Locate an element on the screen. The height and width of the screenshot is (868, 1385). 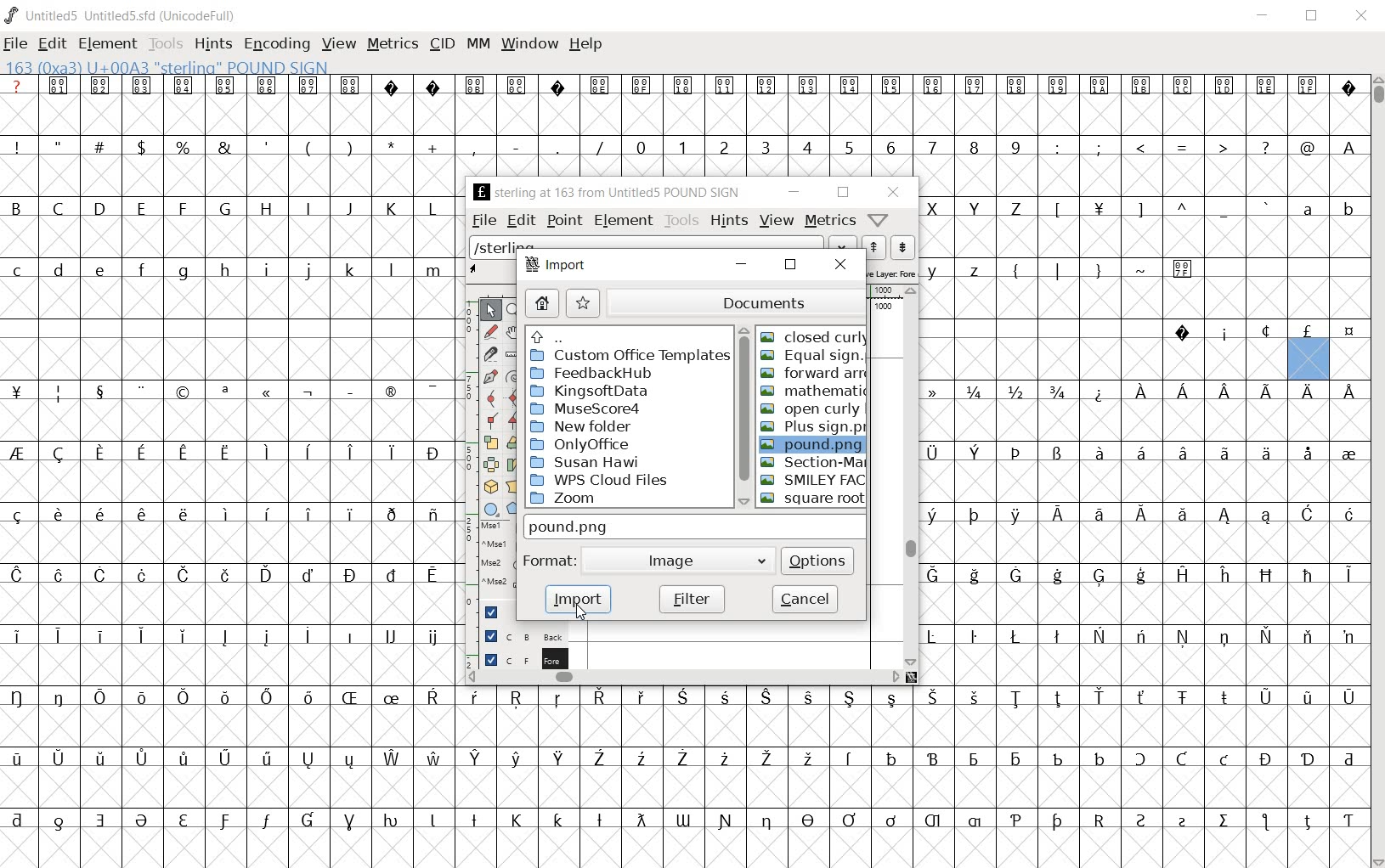
Symbol is located at coordinates (975, 821).